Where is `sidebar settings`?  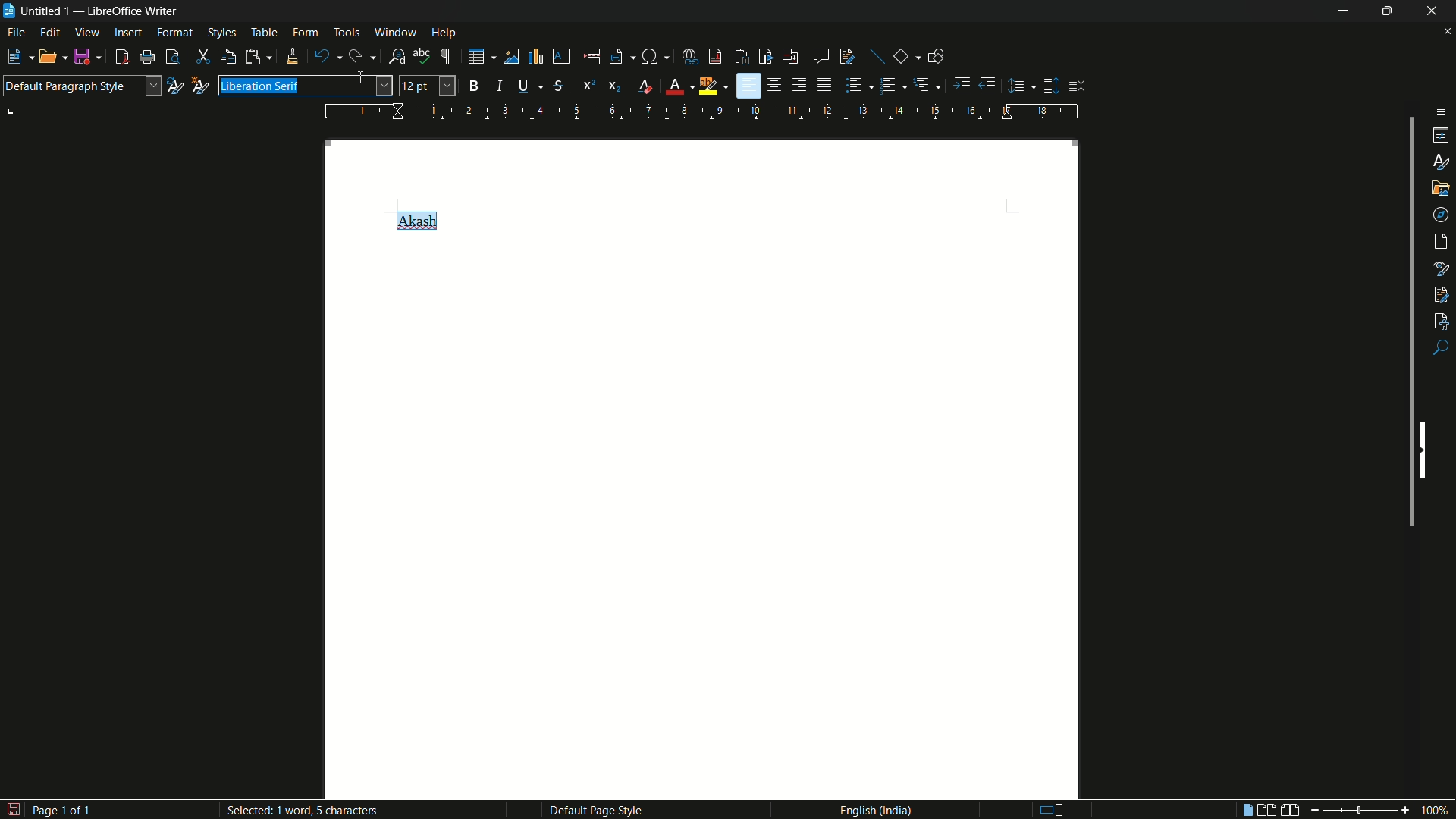
sidebar settings is located at coordinates (1438, 111).